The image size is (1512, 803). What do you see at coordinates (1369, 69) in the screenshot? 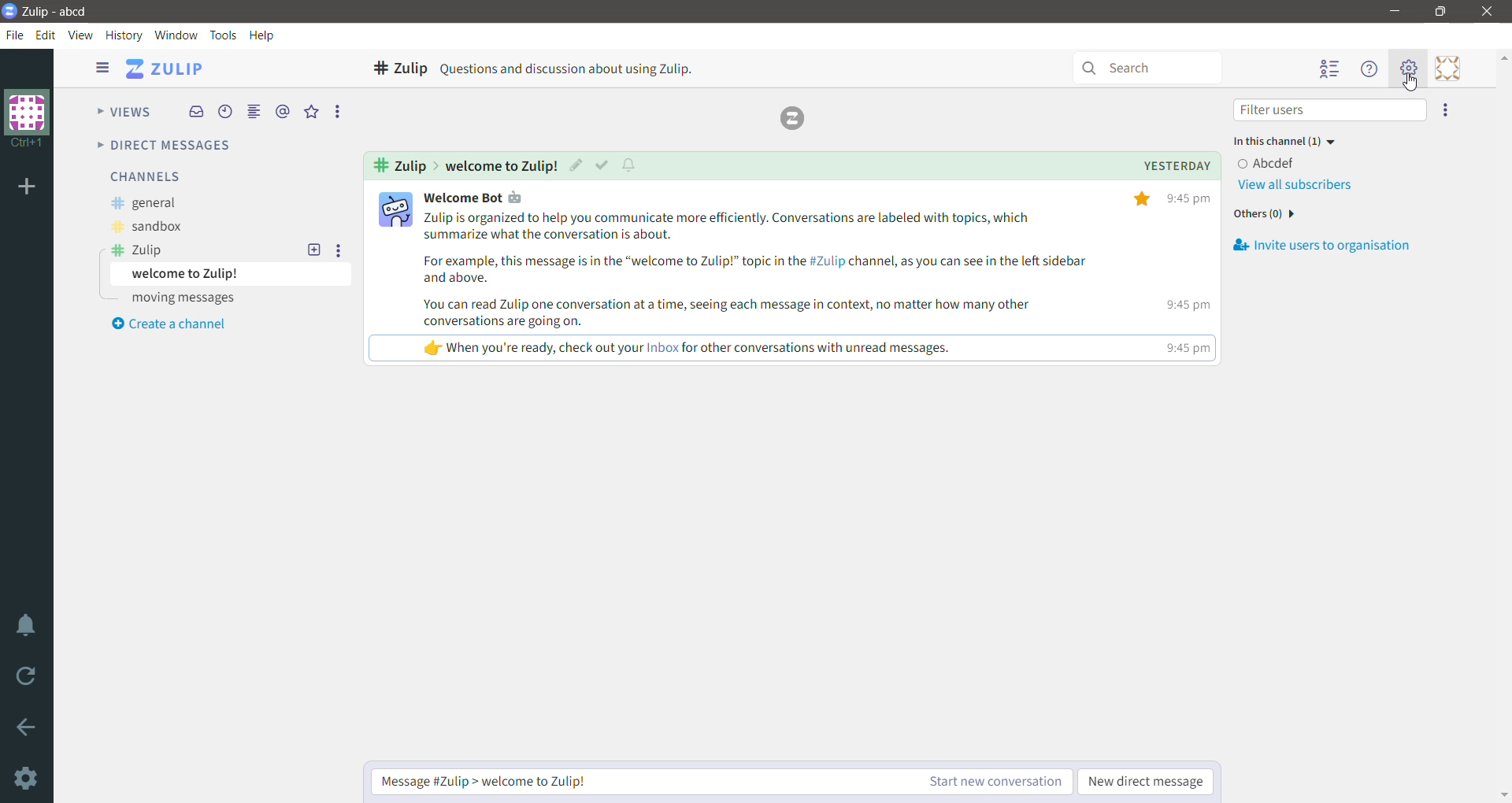
I see `Help menu` at bounding box center [1369, 69].